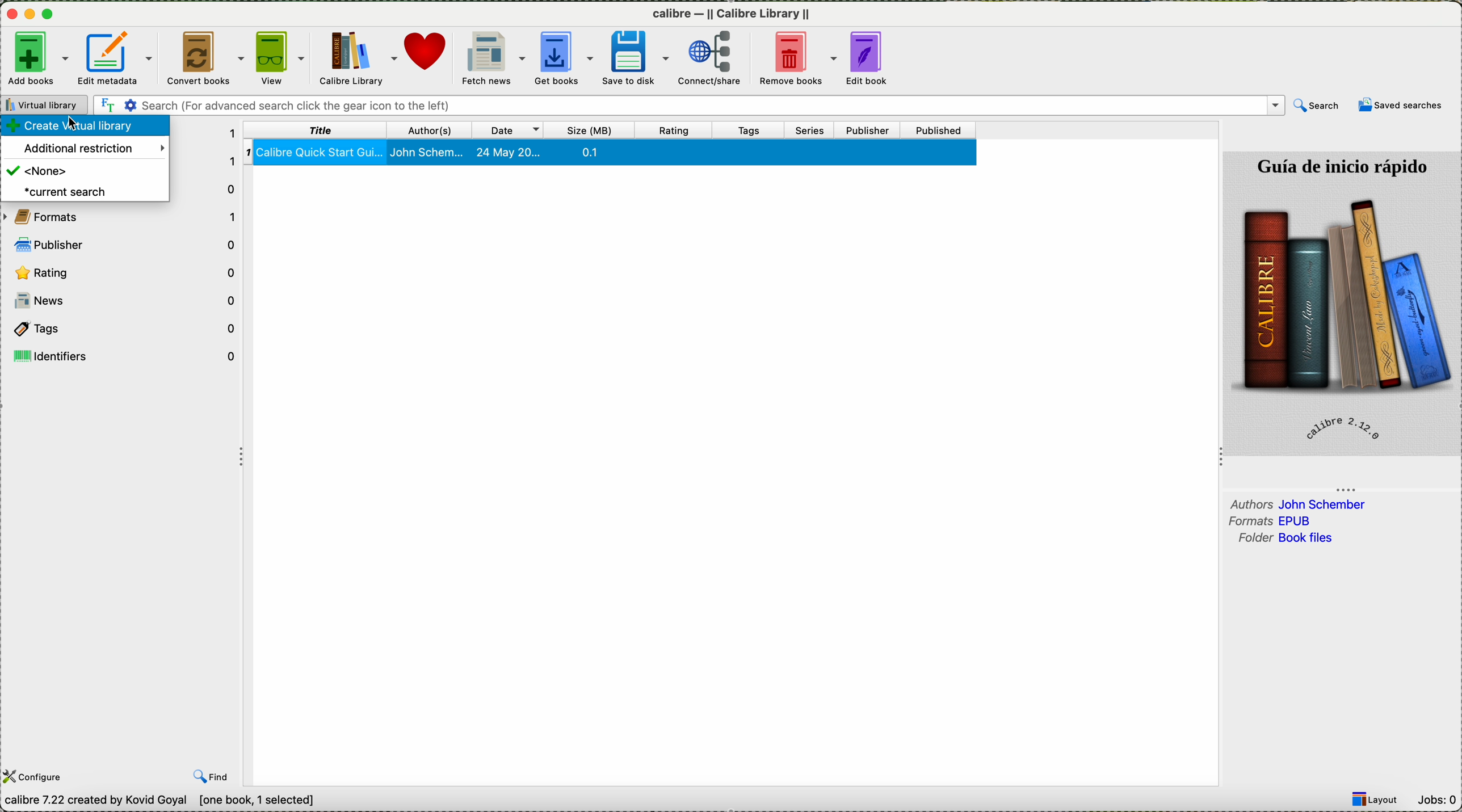 Image resolution: width=1462 pixels, height=812 pixels. What do you see at coordinates (430, 58) in the screenshot?
I see `donate` at bounding box center [430, 58].